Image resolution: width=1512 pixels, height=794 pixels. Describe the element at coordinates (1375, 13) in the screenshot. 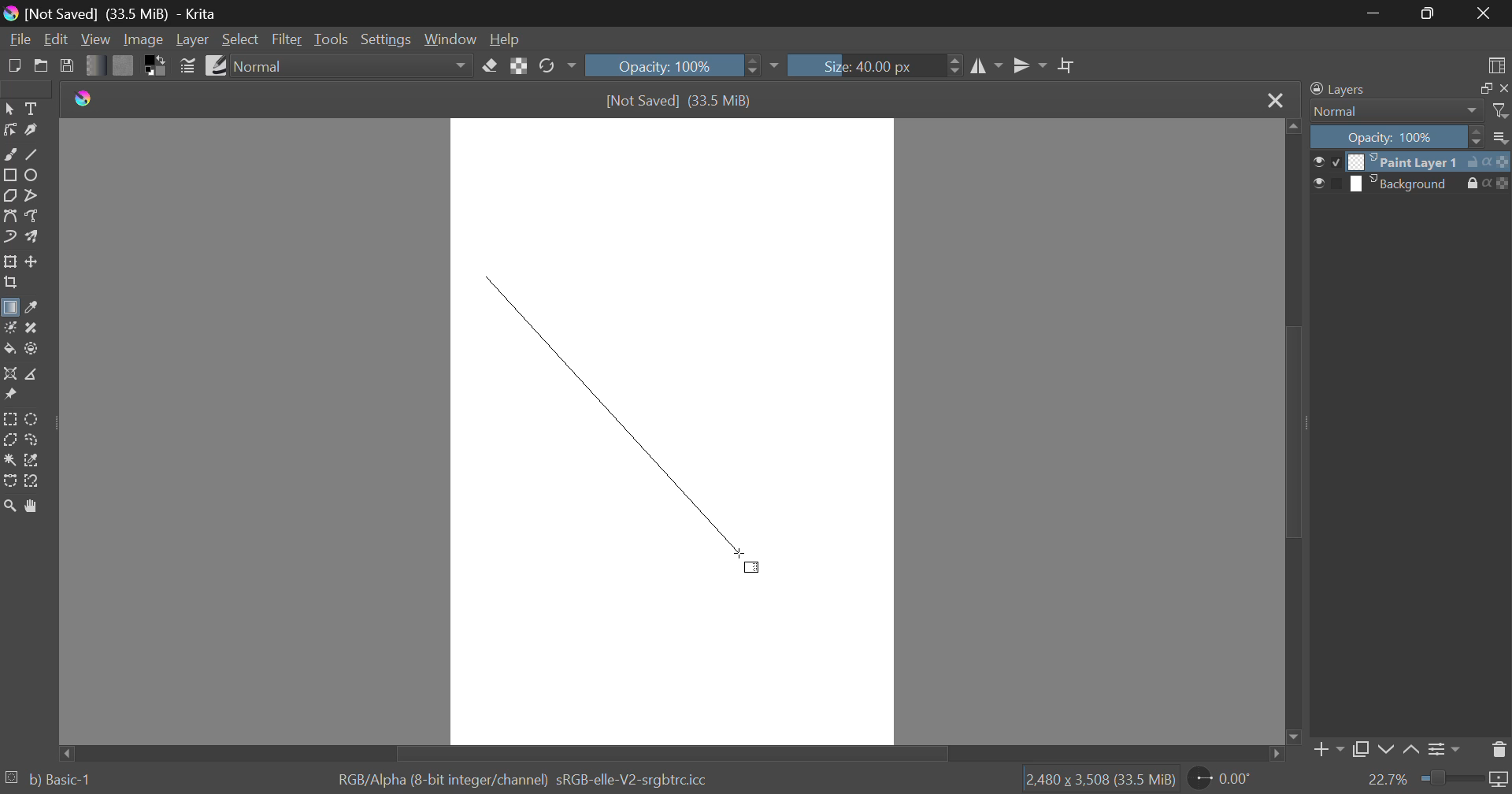

I see `Restore Down` at that location.